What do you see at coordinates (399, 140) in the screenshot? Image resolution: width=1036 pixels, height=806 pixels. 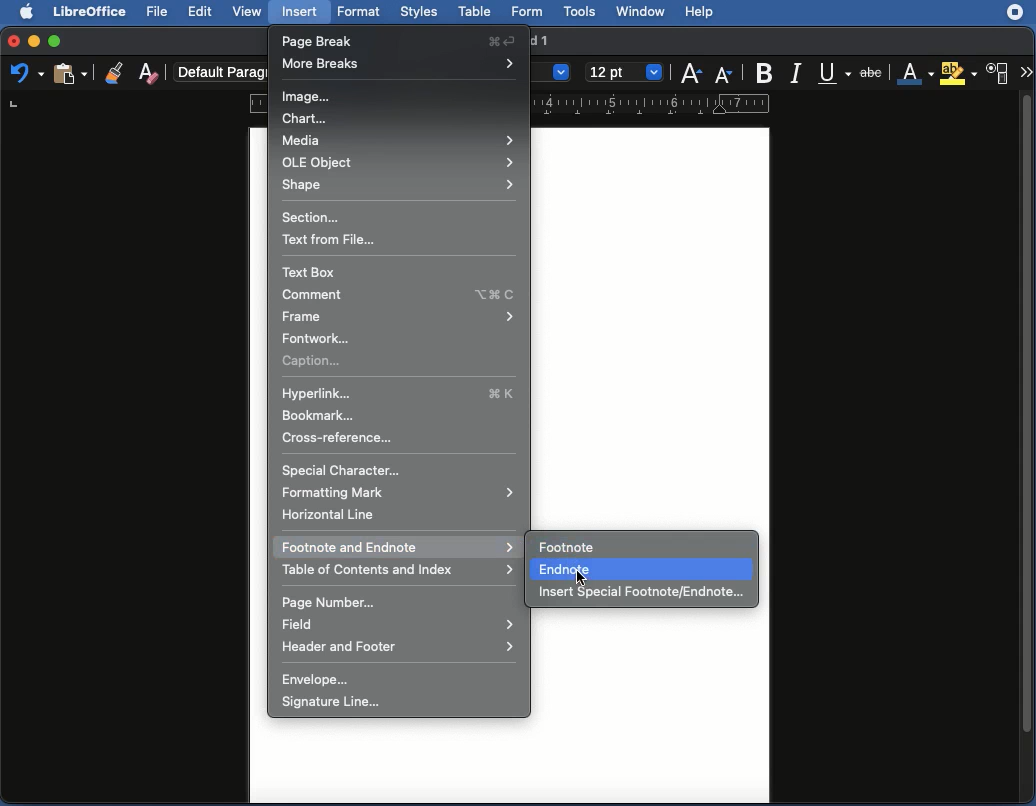 I see `Media` at bounding box center [399, 140].